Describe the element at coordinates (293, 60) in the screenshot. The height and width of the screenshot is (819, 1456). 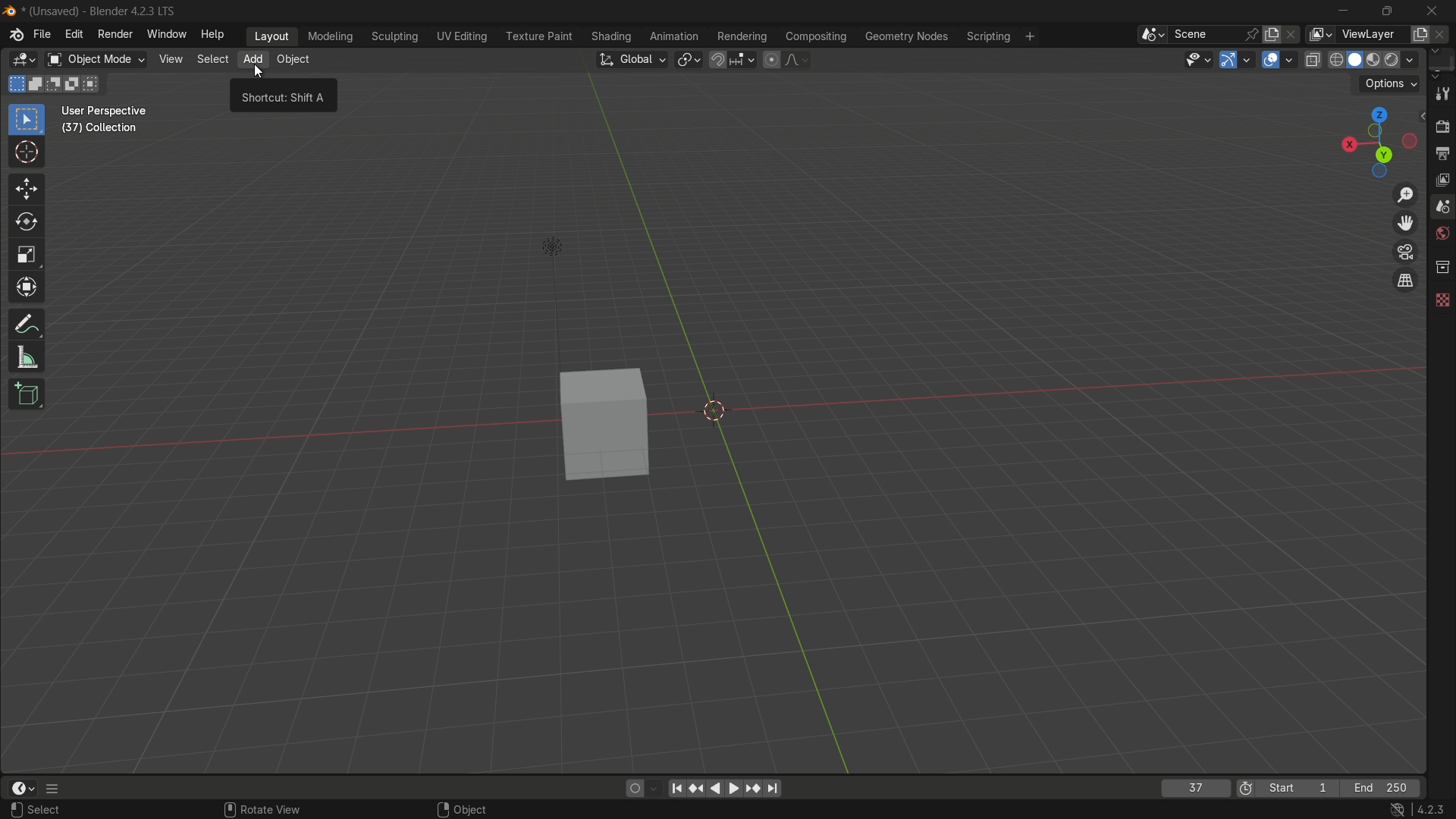
I see `object` at that location.